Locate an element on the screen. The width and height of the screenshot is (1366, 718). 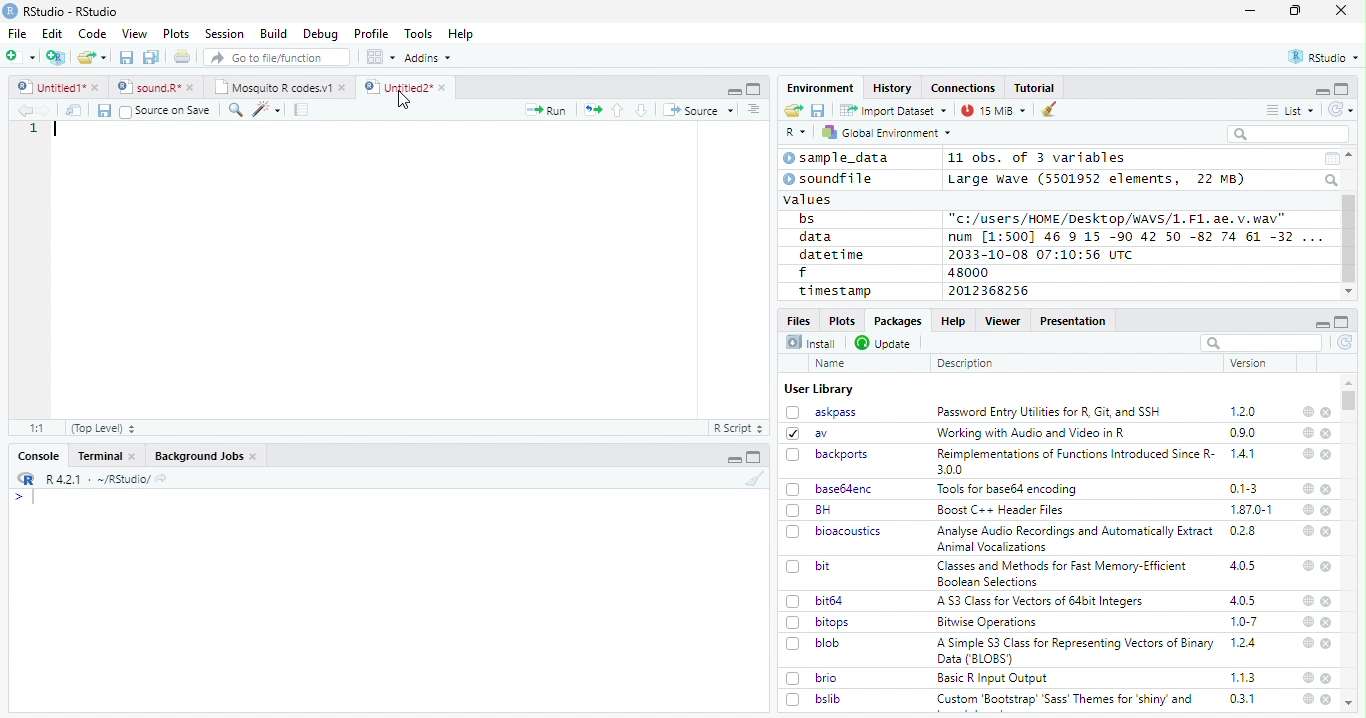
RStudio - RStudio is located at coordinates (71, 11).